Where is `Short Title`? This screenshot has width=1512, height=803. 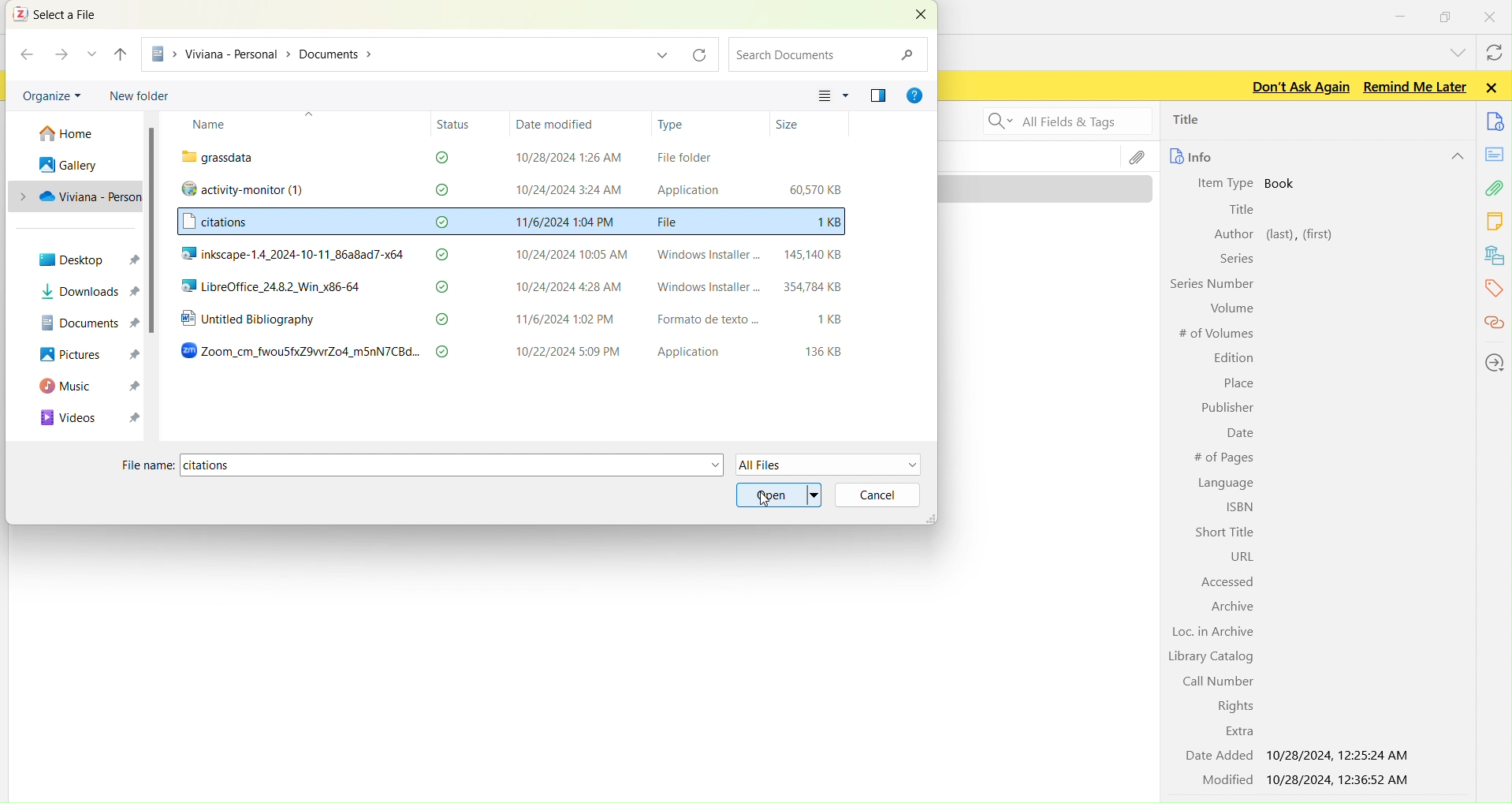
Short Title is located at coordinates (1219, 530).